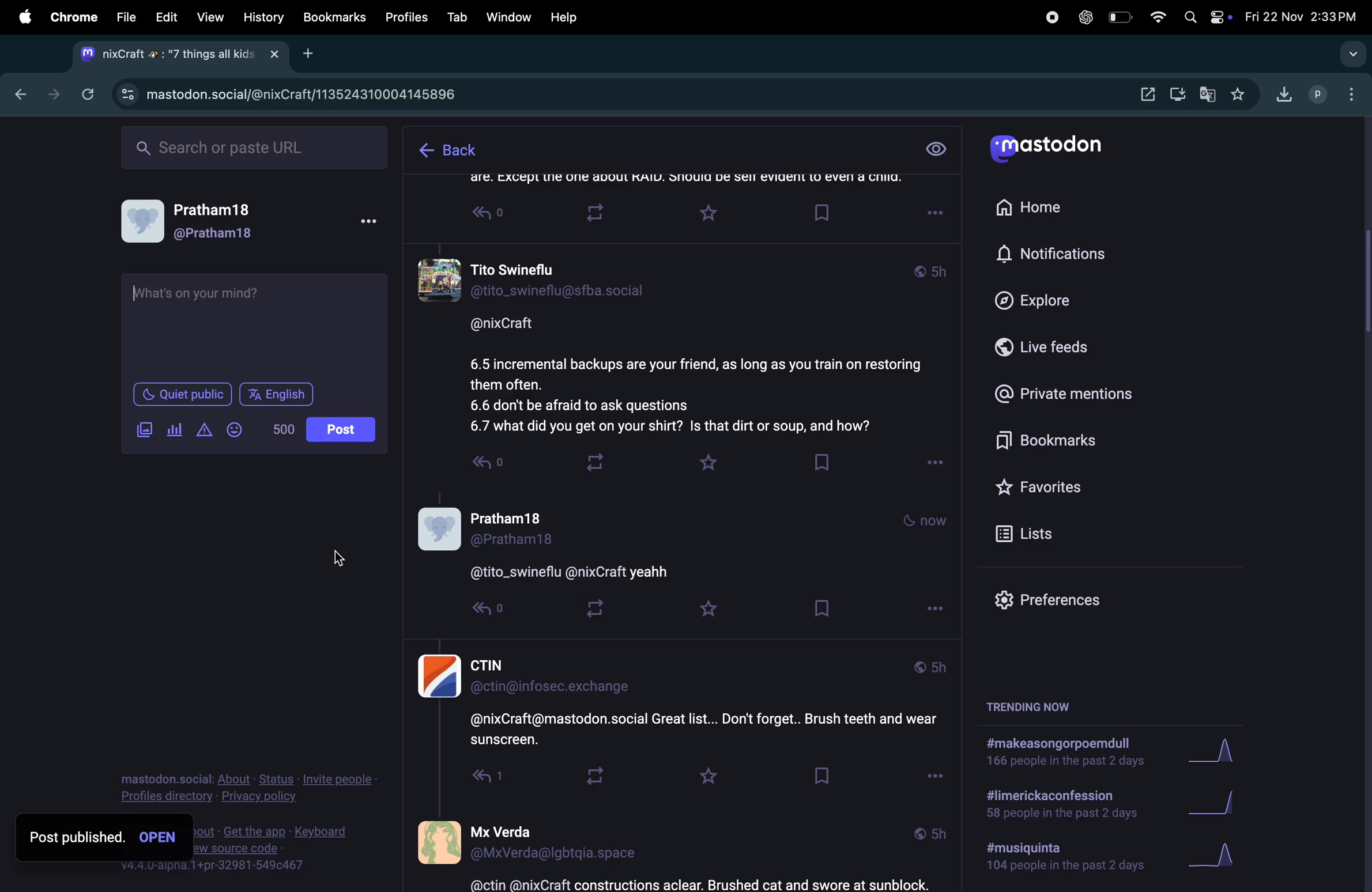 The width and height of the screenshot is (1372, 892). Describe the element at coordinates (252, 324) in the screenshot. I see `textbox` at that location.